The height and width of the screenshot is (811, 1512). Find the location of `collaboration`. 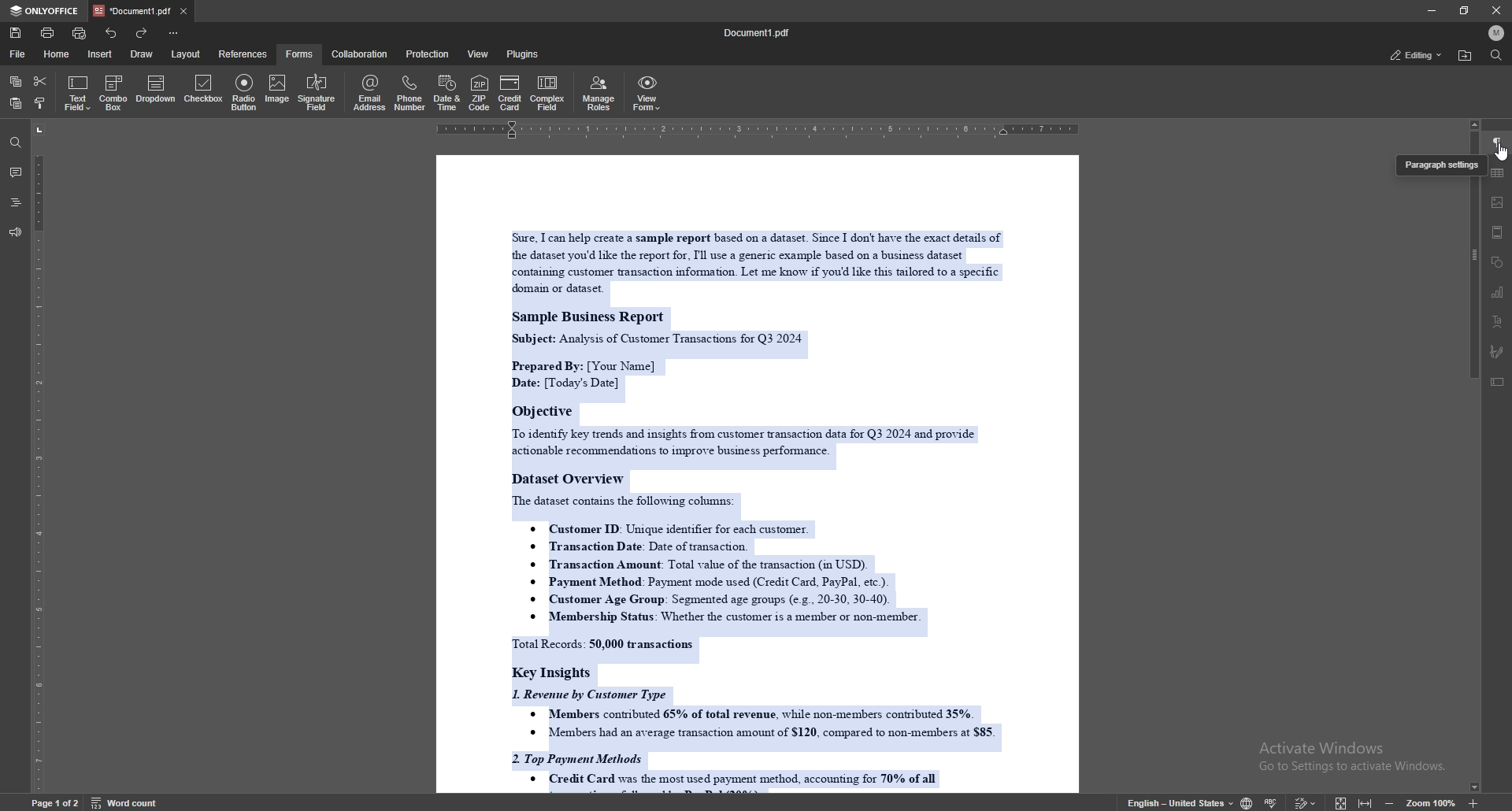

collaboration is located at coordinates (361, 54).